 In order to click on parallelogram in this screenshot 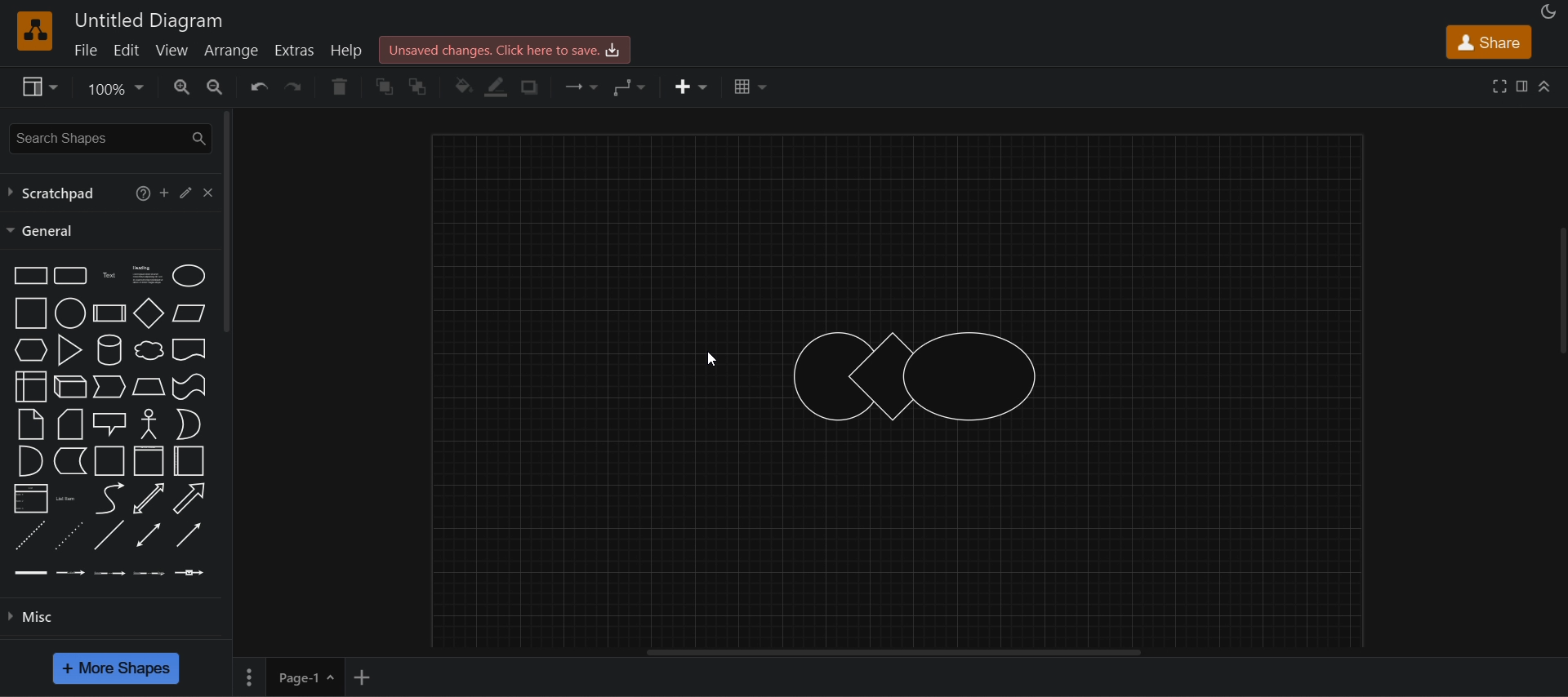, I will do `click(189, 313)`.